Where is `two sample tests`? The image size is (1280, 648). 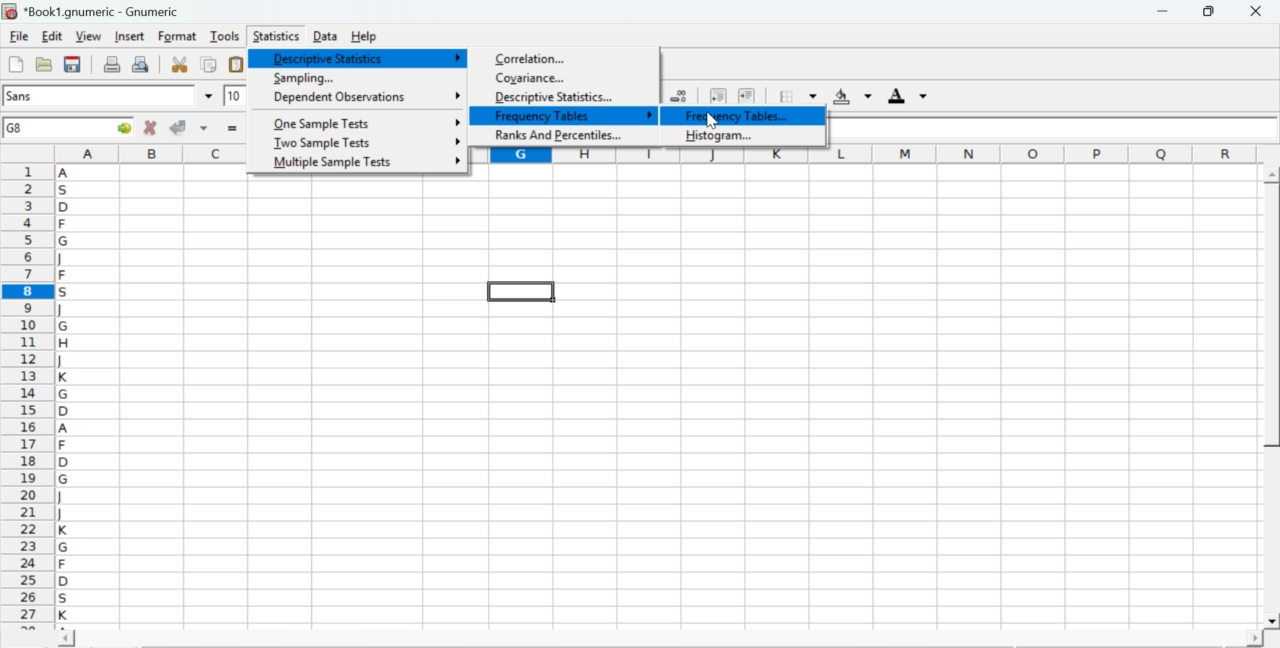 two sample tests is located at coordinates (322, 143).